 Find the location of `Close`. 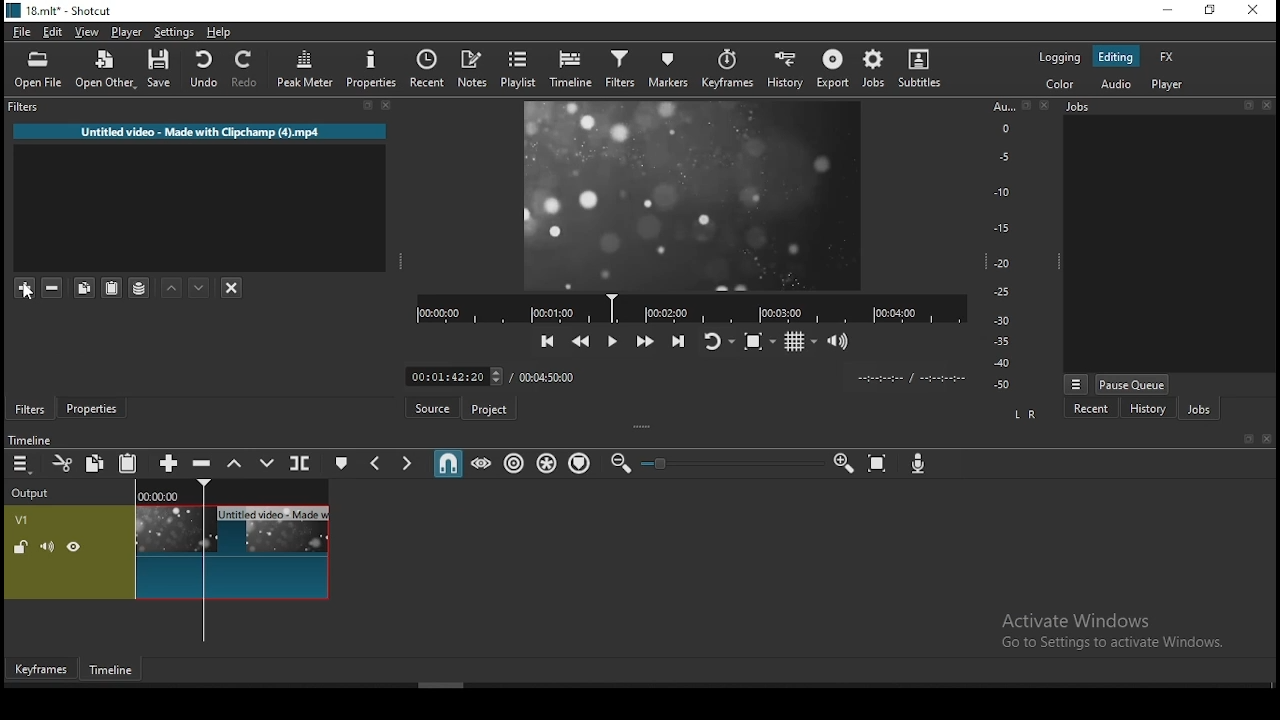

Close is located at coordinates (1045, 104).